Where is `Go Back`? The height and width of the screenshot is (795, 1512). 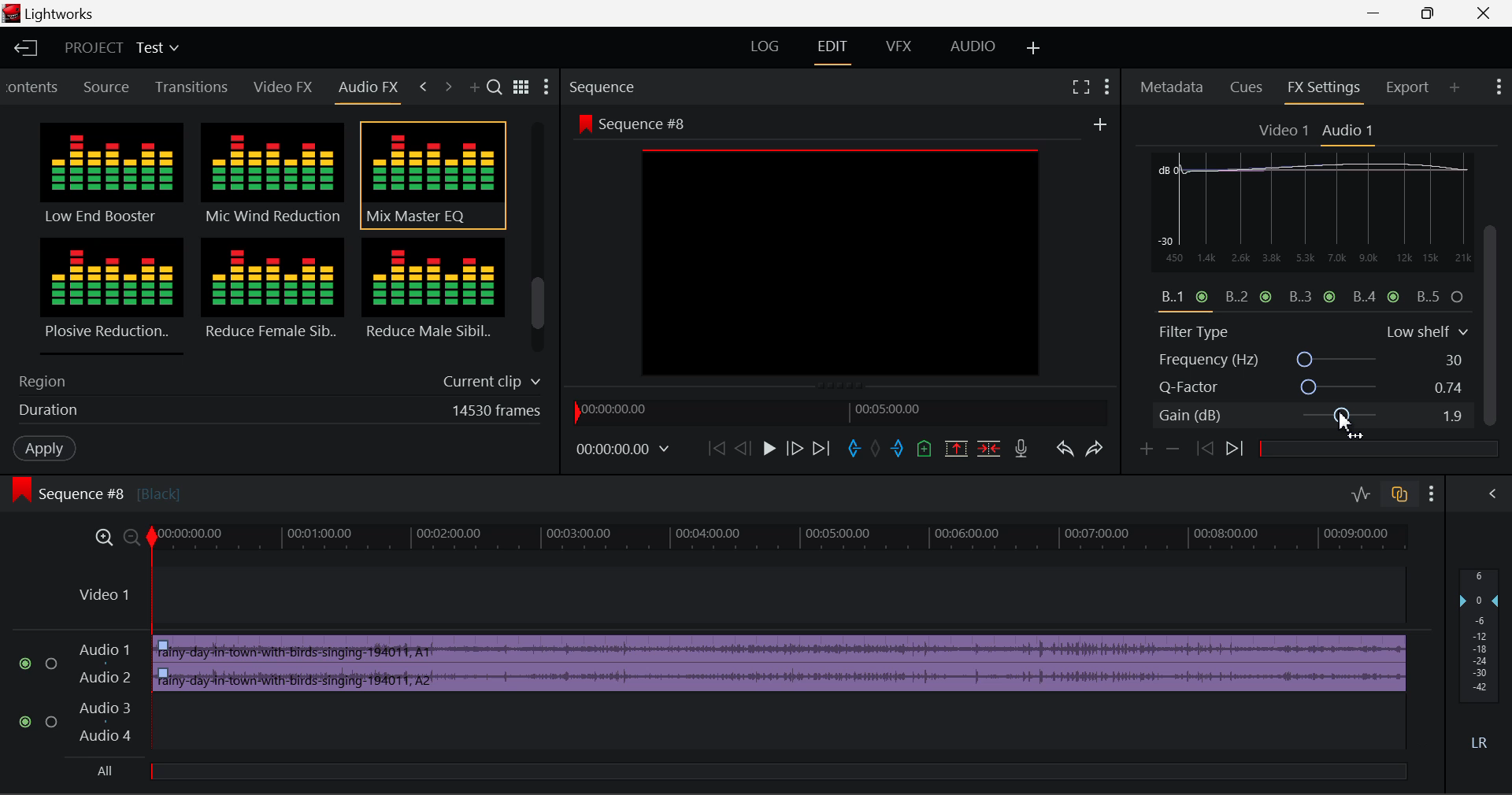 Go Back is located at coordinates (743, 449).